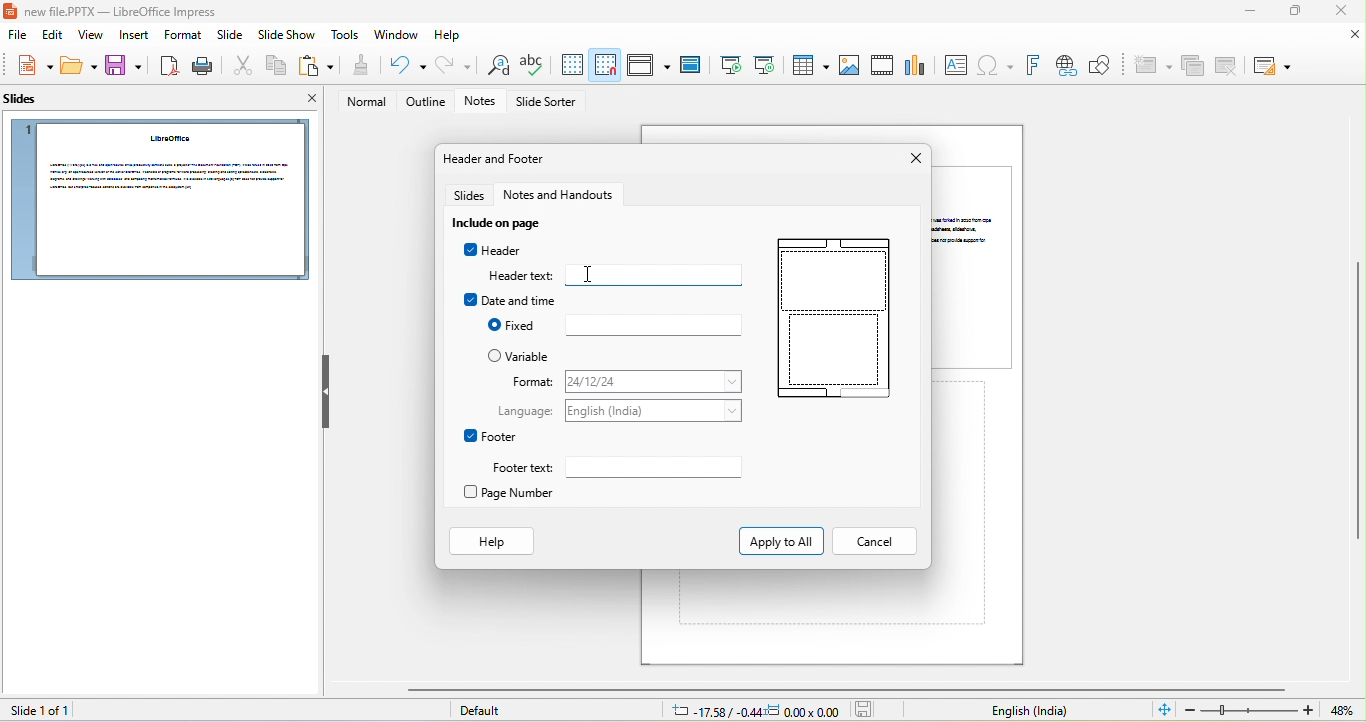 The height and width of the screenshot is (722, 1366). I want to click on slides, so click(470, 196).